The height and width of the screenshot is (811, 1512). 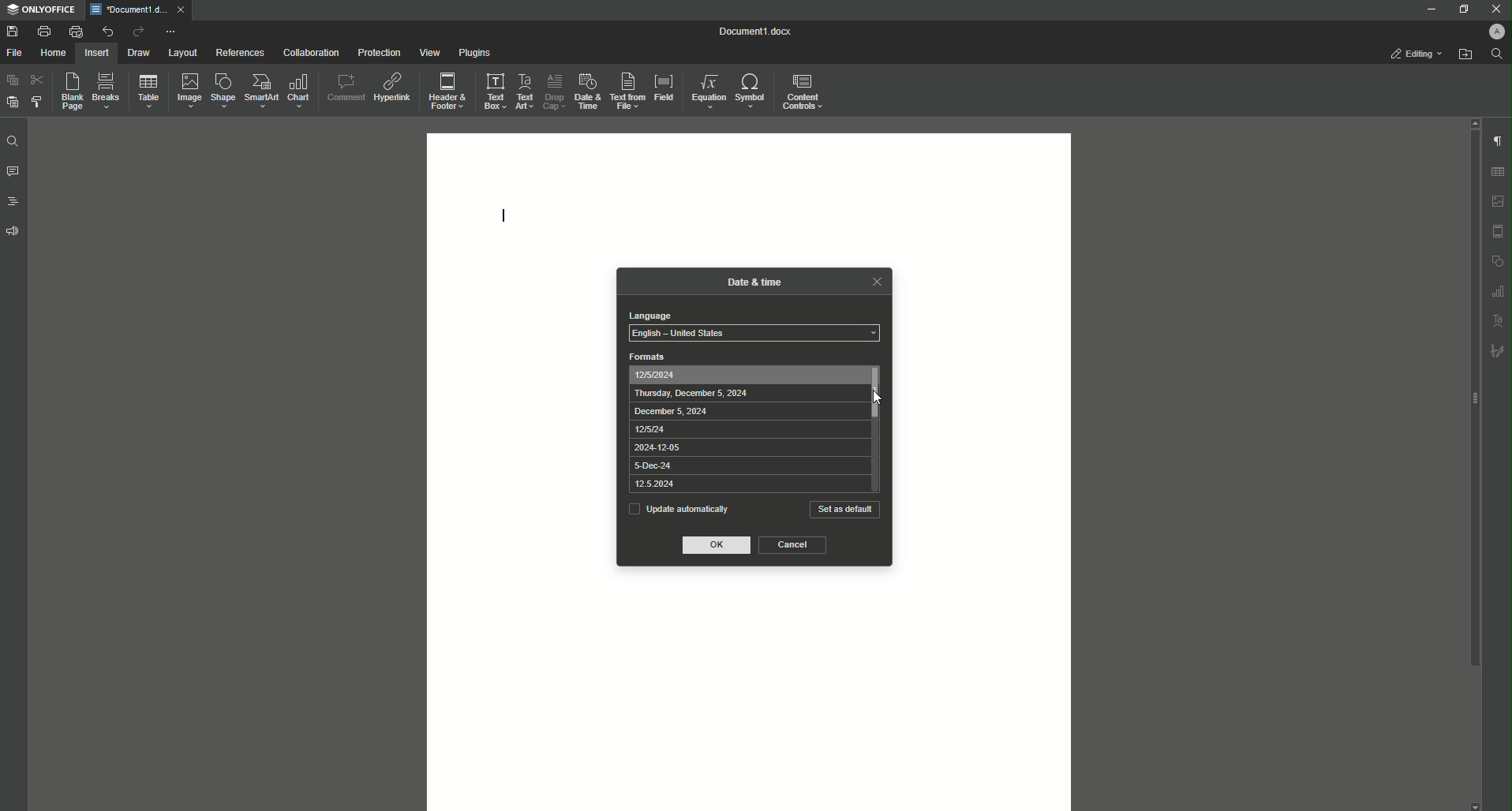 I want to click on scroll up, so click(x=1473, y=122).